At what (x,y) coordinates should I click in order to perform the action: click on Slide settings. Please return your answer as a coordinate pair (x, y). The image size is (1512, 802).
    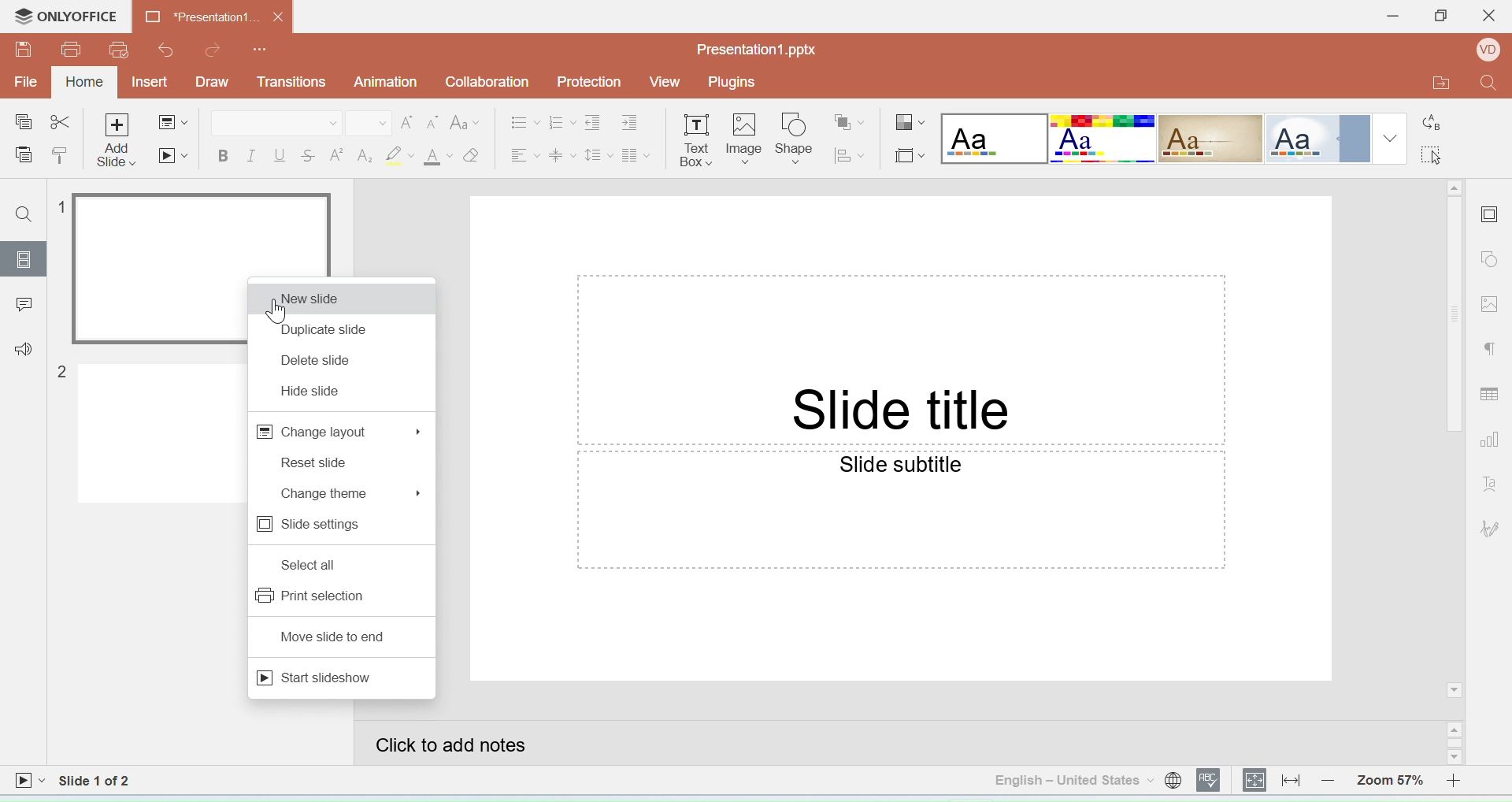
    Looking at the image, I should click on (1492, 212).